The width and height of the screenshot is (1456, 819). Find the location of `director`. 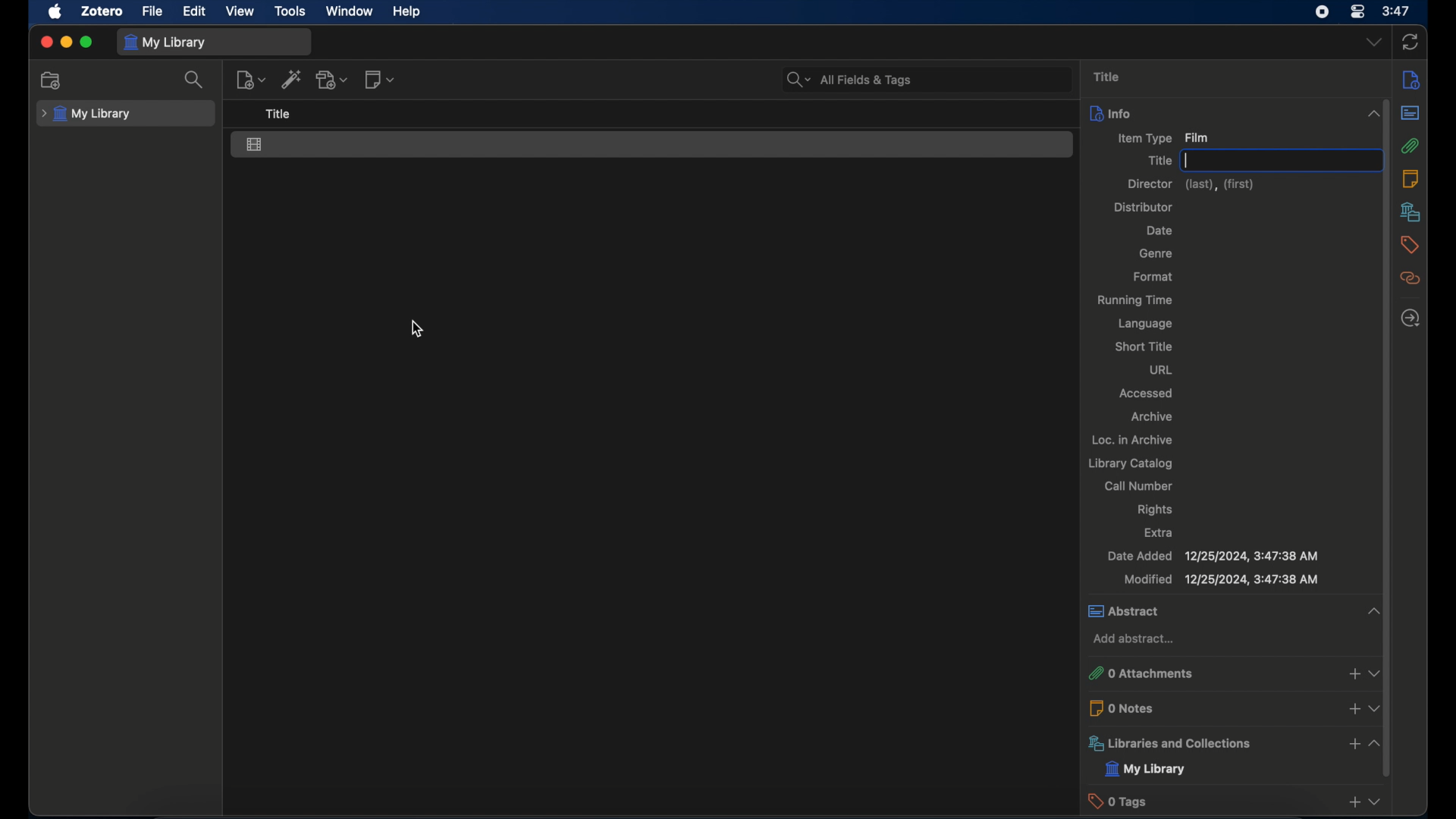

director is located at coordinates (1191, 185).